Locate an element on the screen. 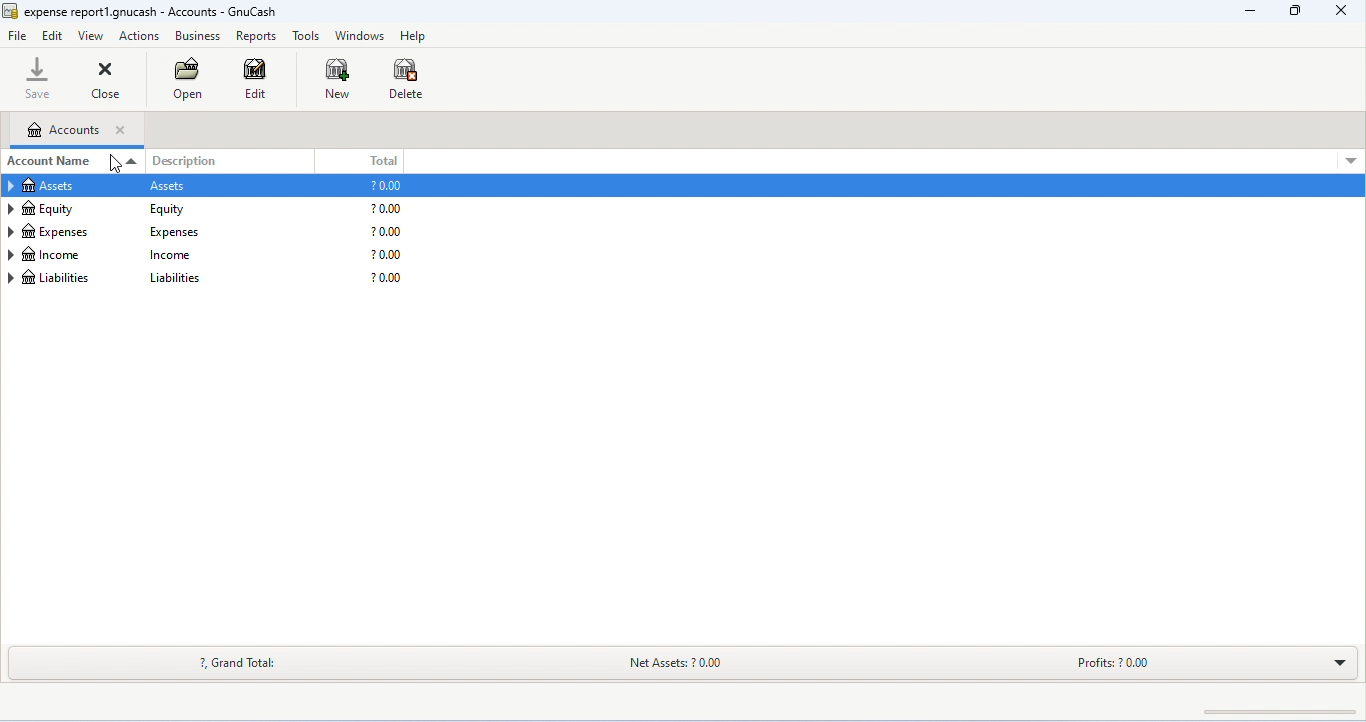 This screenshot has width=1366, height=722. liabilities description is located at coordinates (178, 279).